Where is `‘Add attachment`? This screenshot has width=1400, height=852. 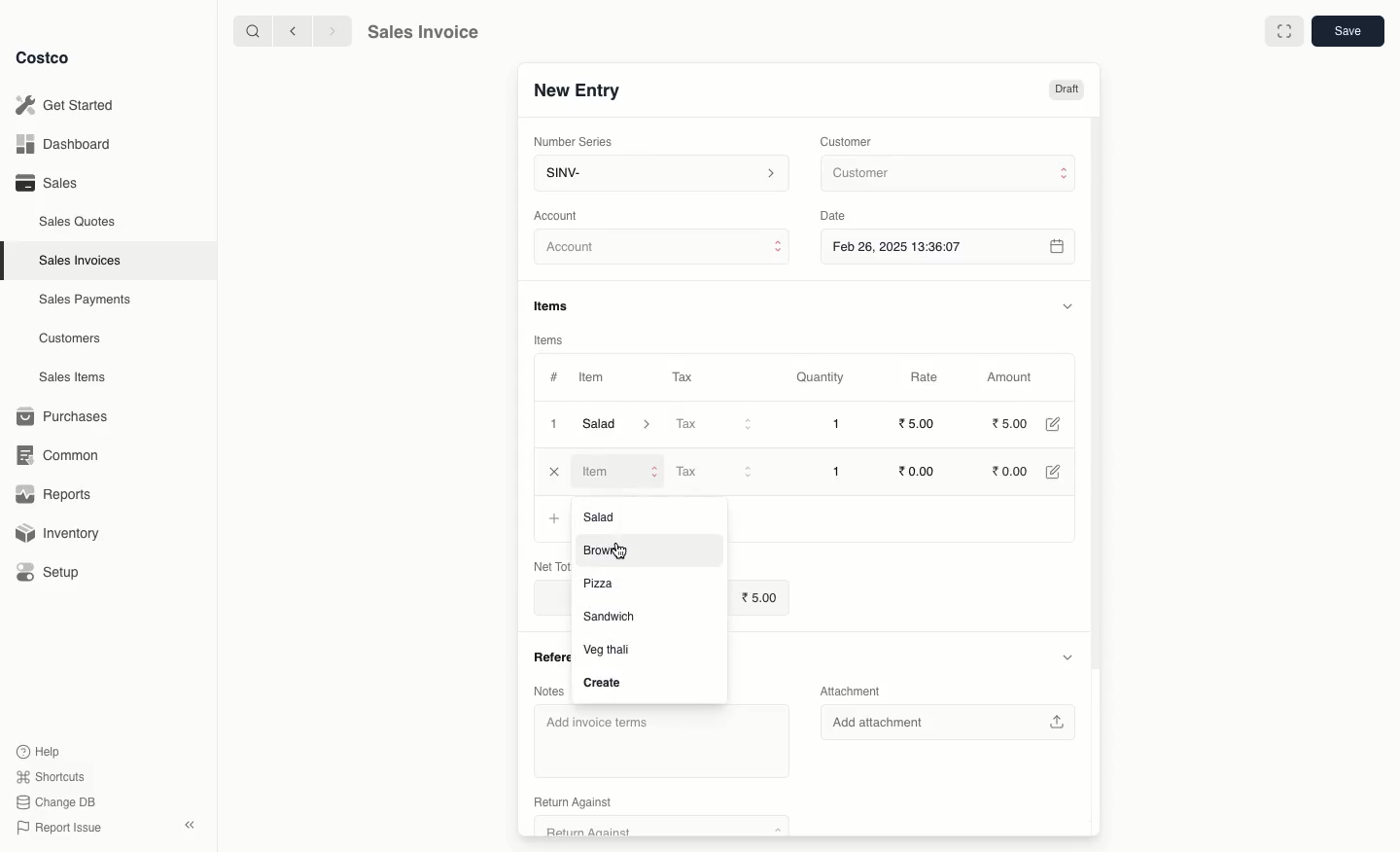
‘Add attachment is located at coordinates (947, 720).